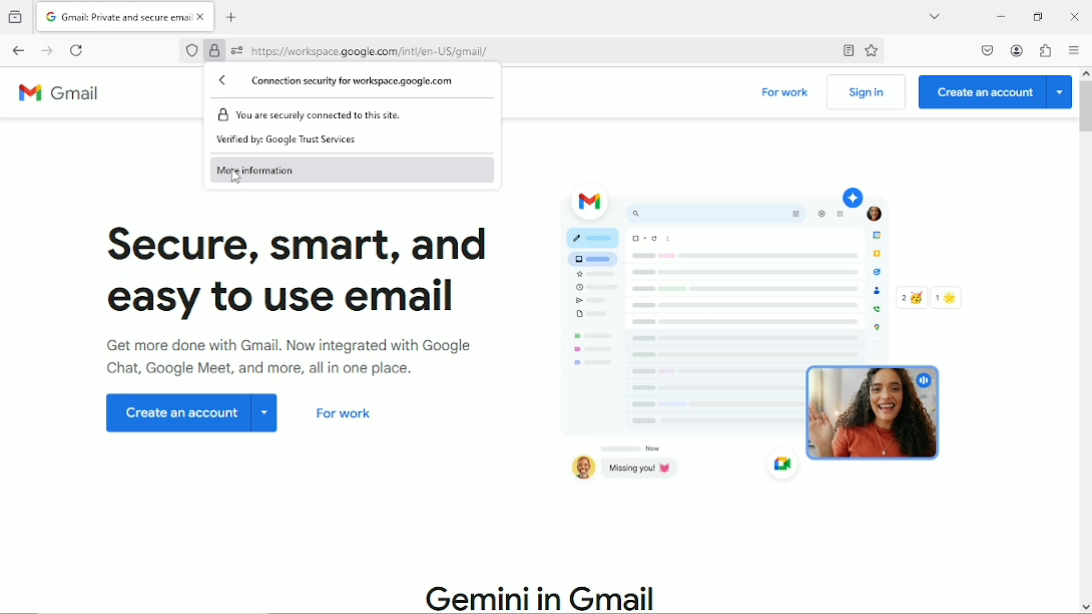 The width and height of the screenshot is (1092, 614). Describe the element at coordinates (77, 50) in the screenshot. I see `Reload current page` at that location.